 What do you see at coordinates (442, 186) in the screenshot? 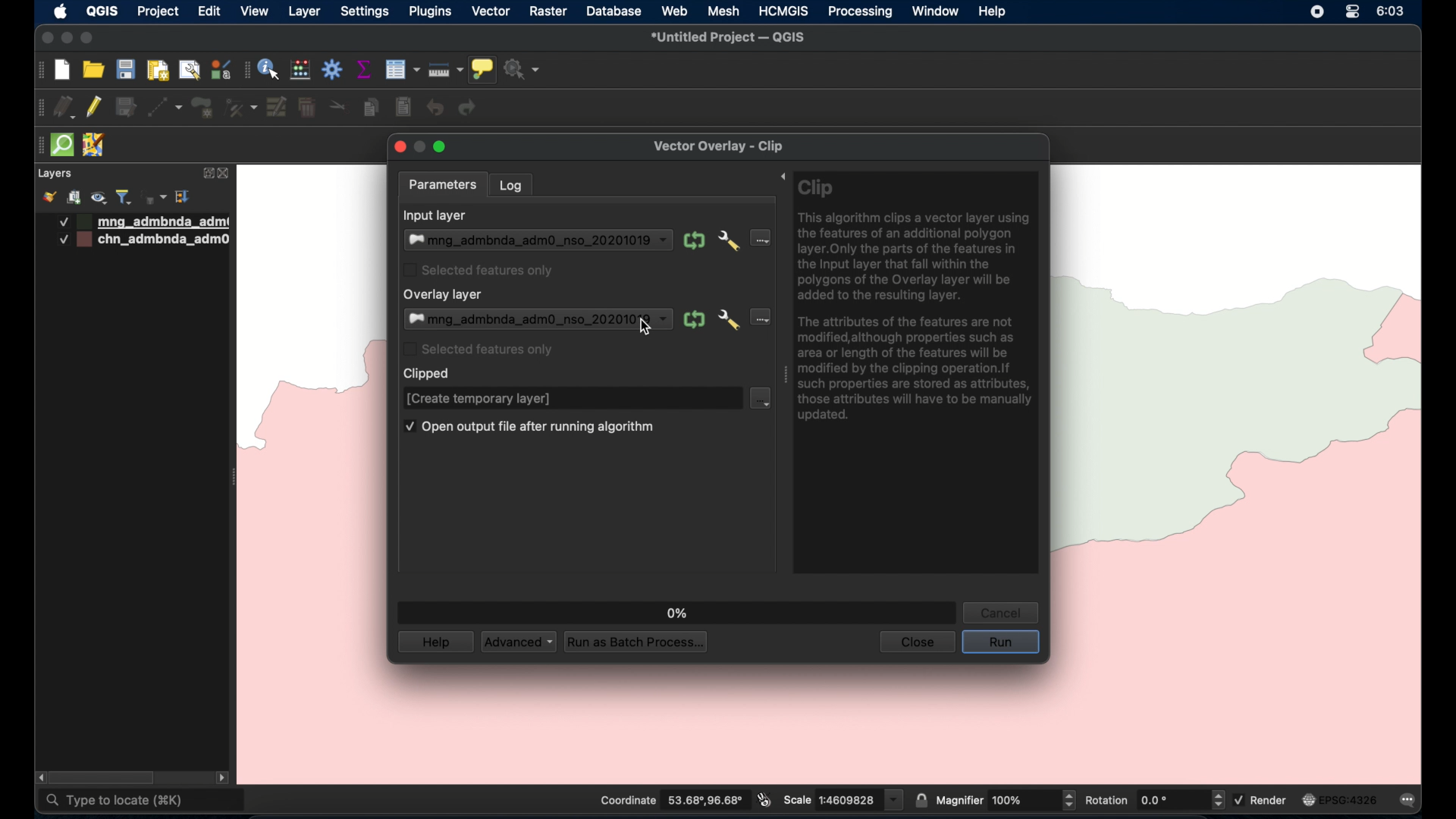
I see `parameters` at bounding box center [442, 186].